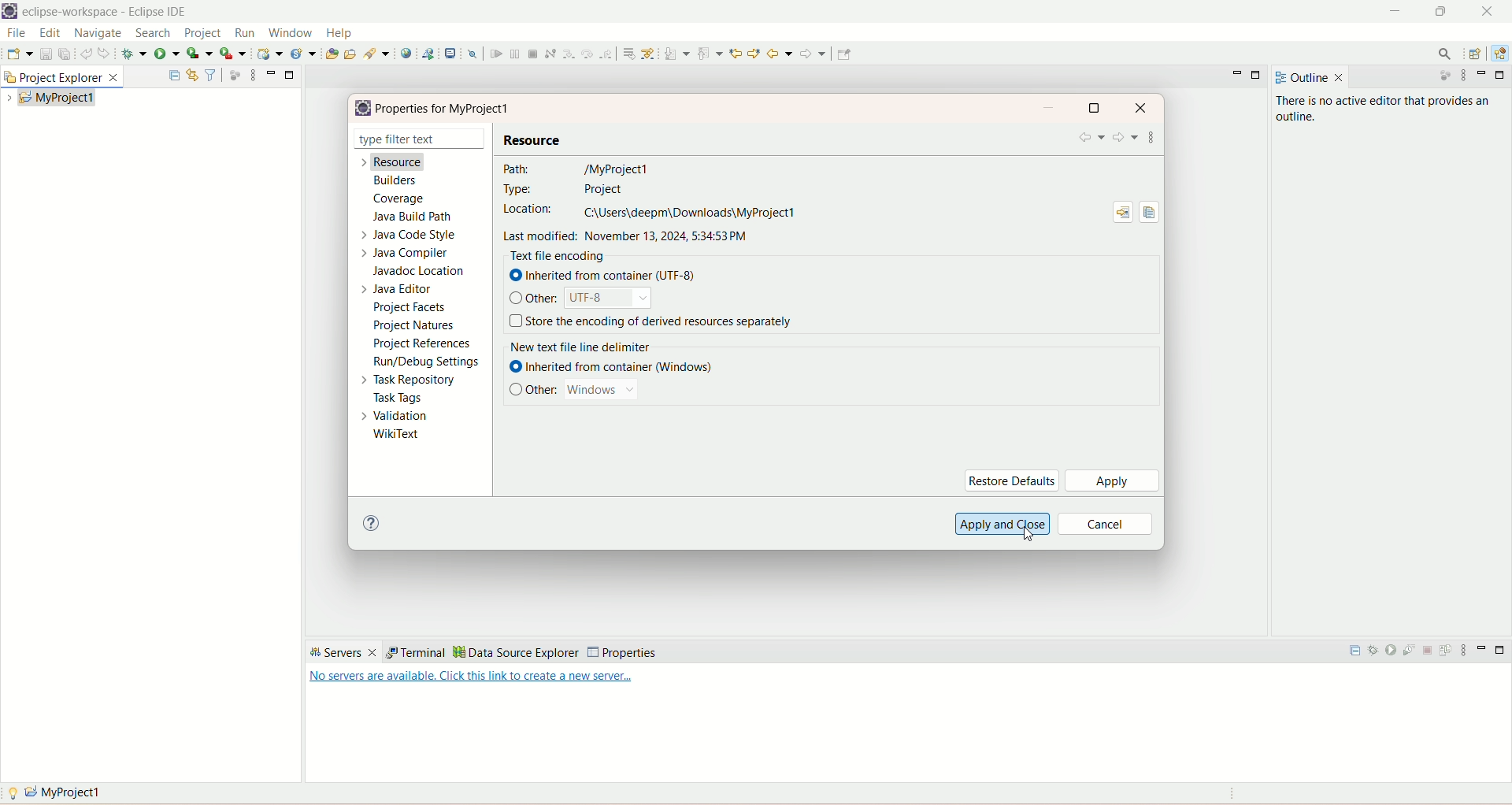 The image size is (1512, 805). What do you see at coordinates (392, 290) in the screenshot?
I see `java editor` at bounding box center [392, 290].